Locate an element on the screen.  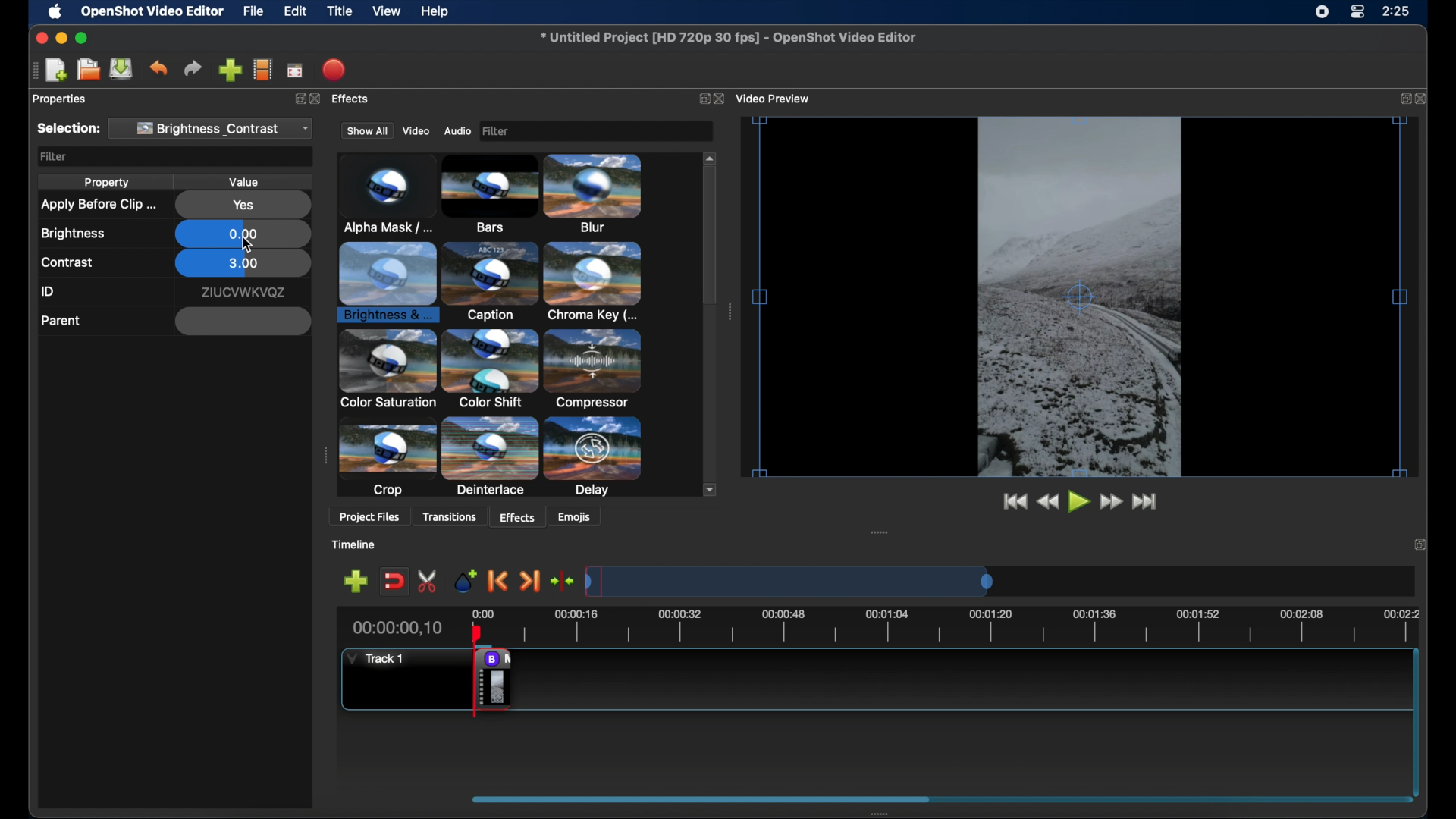
property is located at coordinates (106, 184).